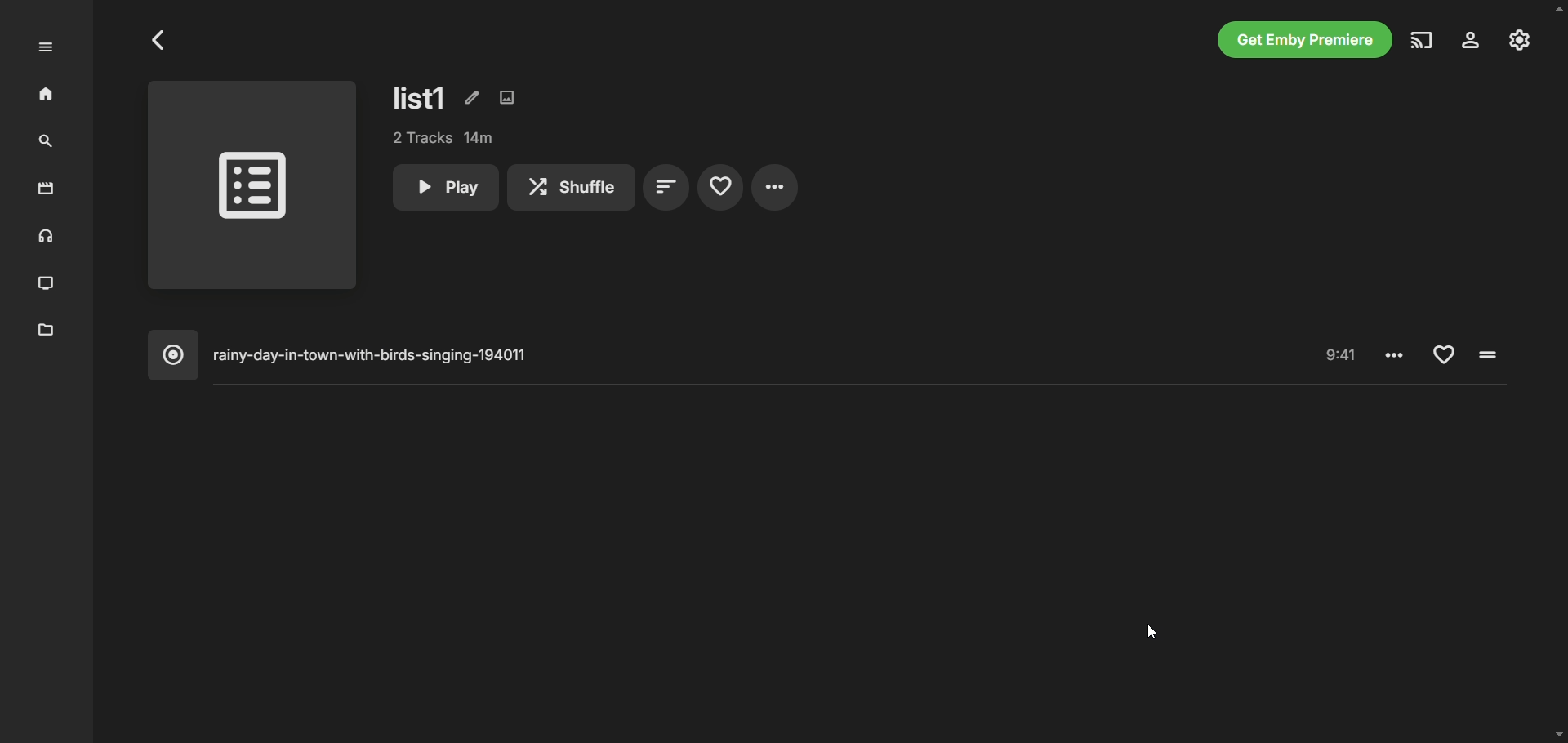  I want to click on movies, so click(47, 189).